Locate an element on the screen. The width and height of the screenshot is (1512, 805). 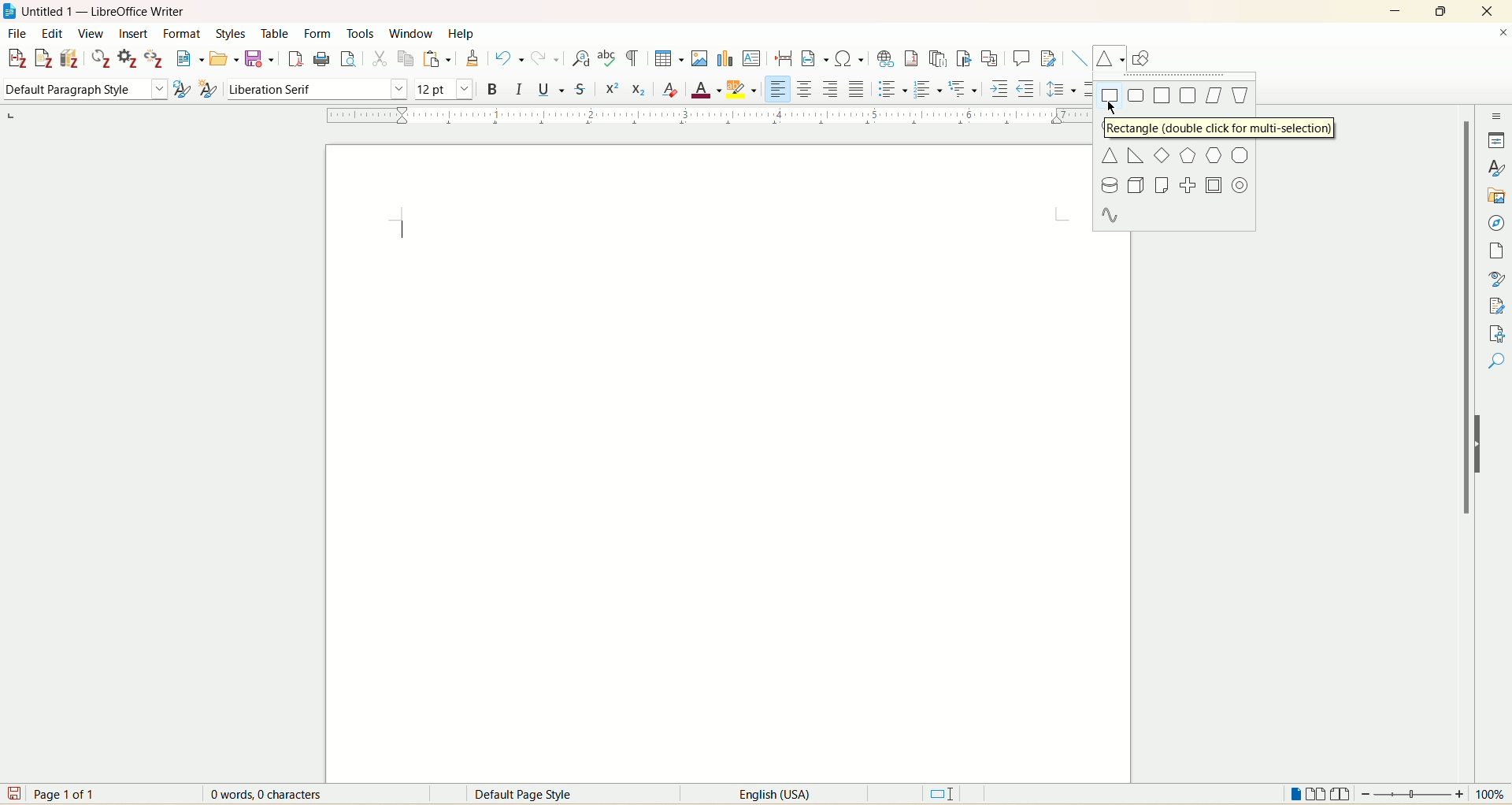
spell check is located at coordinates (608, 59).